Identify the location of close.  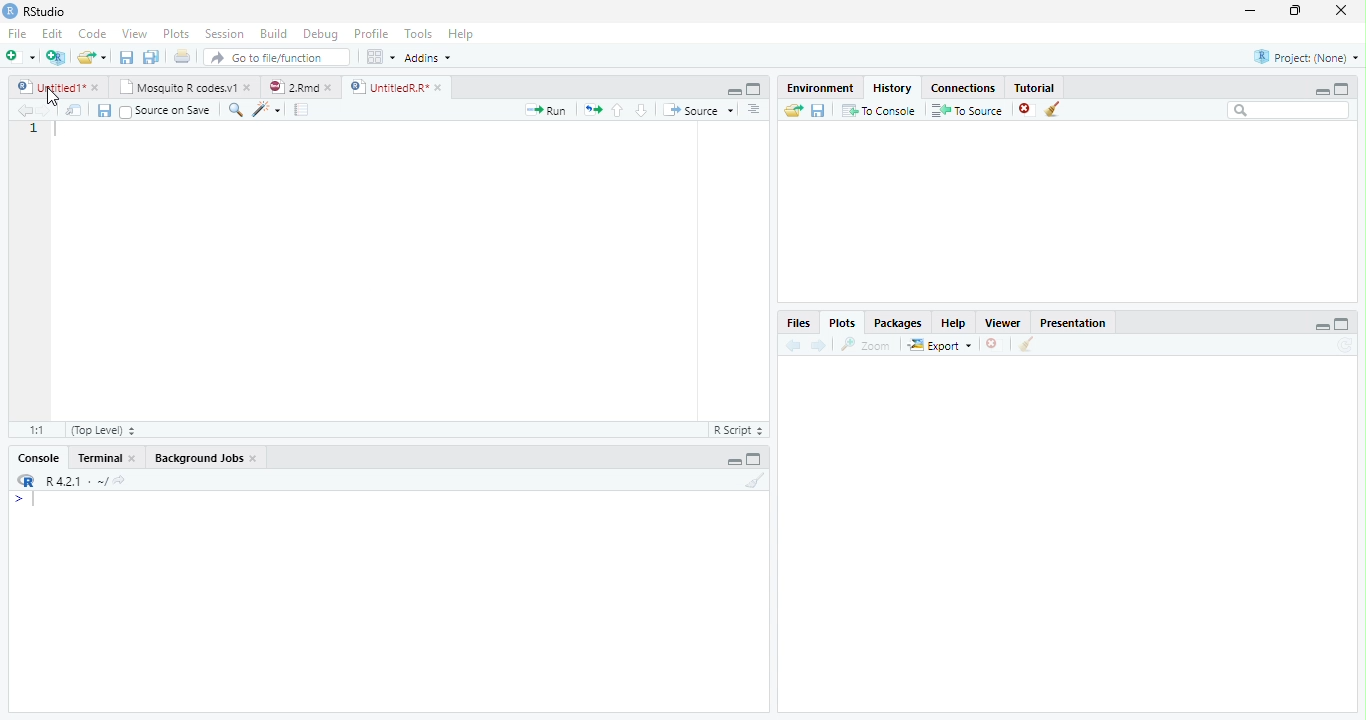
(256, 460).